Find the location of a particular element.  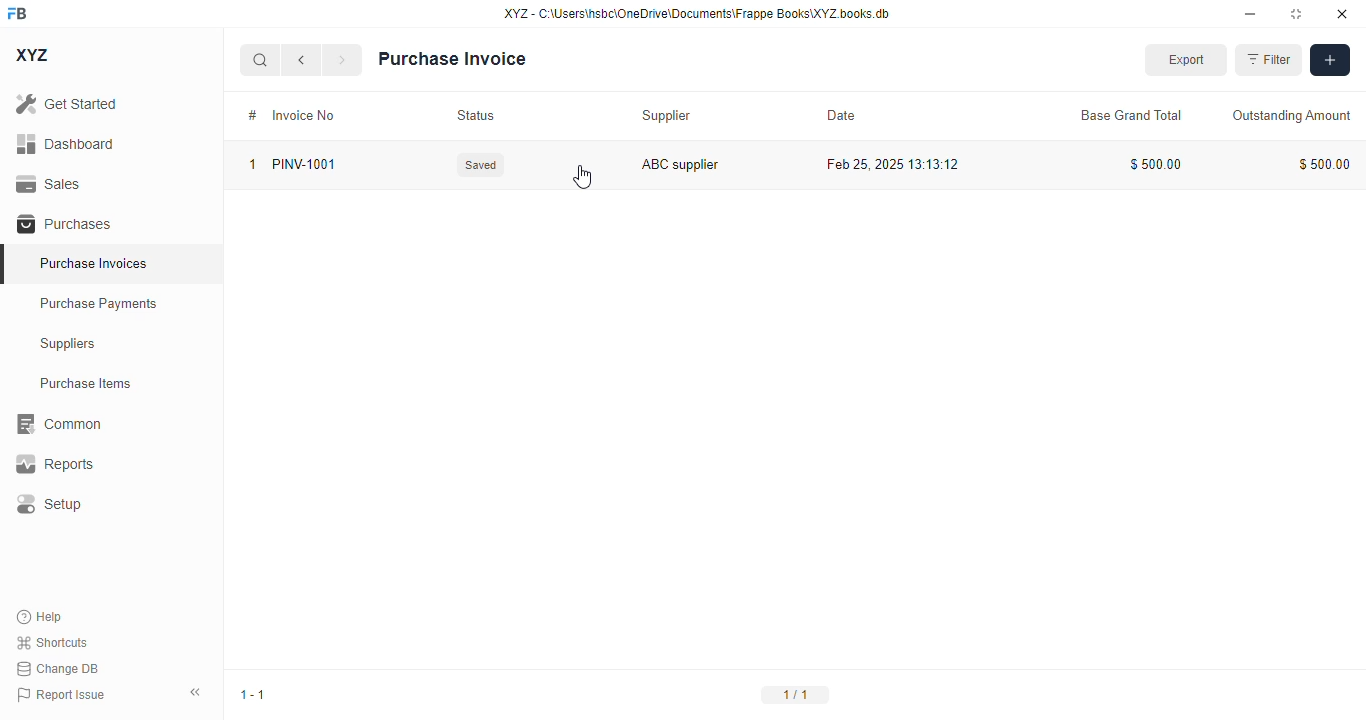

$500.00 is located at coordinates (1324, 164).